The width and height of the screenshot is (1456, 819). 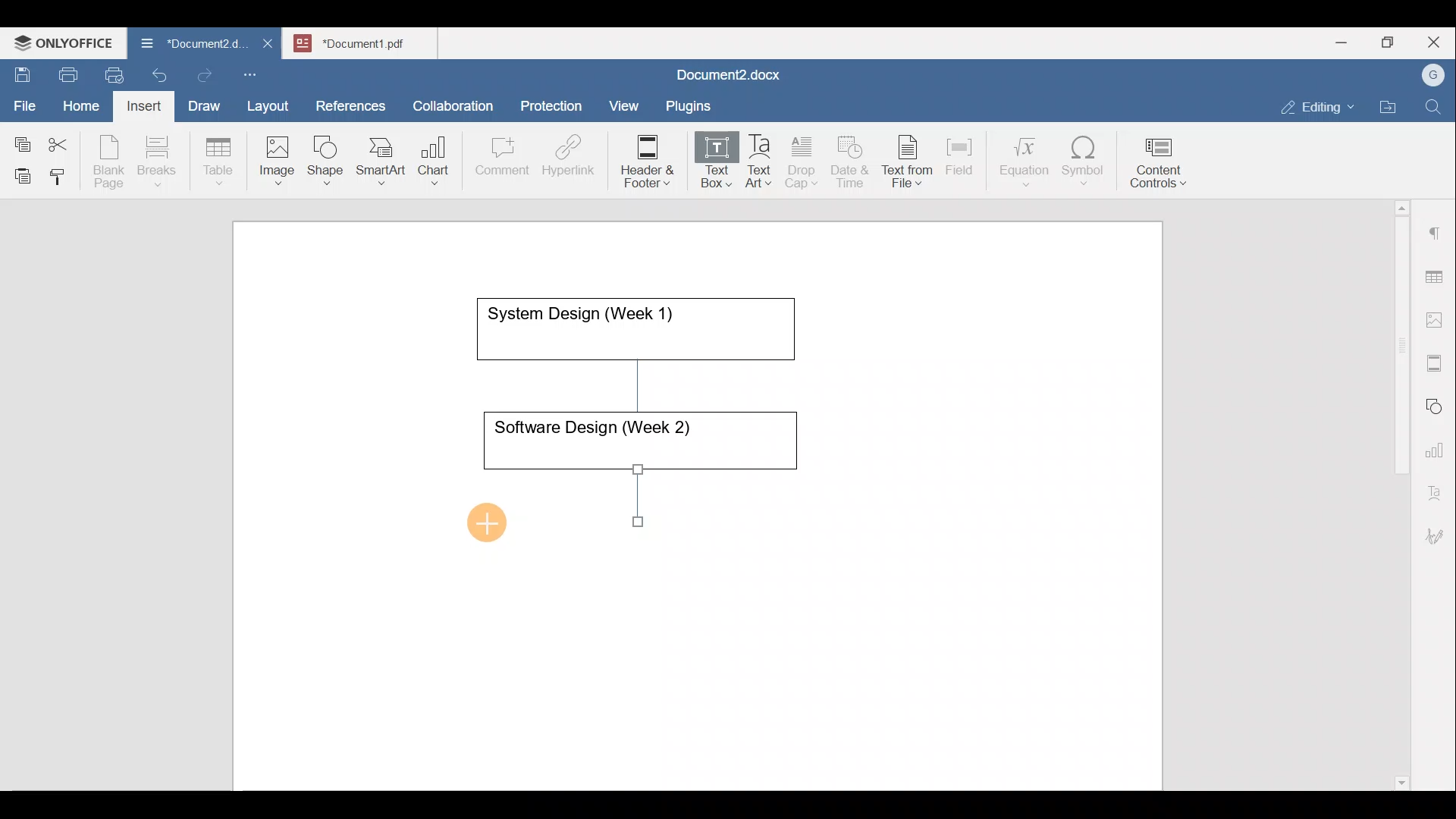 What do you see at coordinates (725, 77) in the screenshot?
I see `Document name` at bounding box center [725, 77].